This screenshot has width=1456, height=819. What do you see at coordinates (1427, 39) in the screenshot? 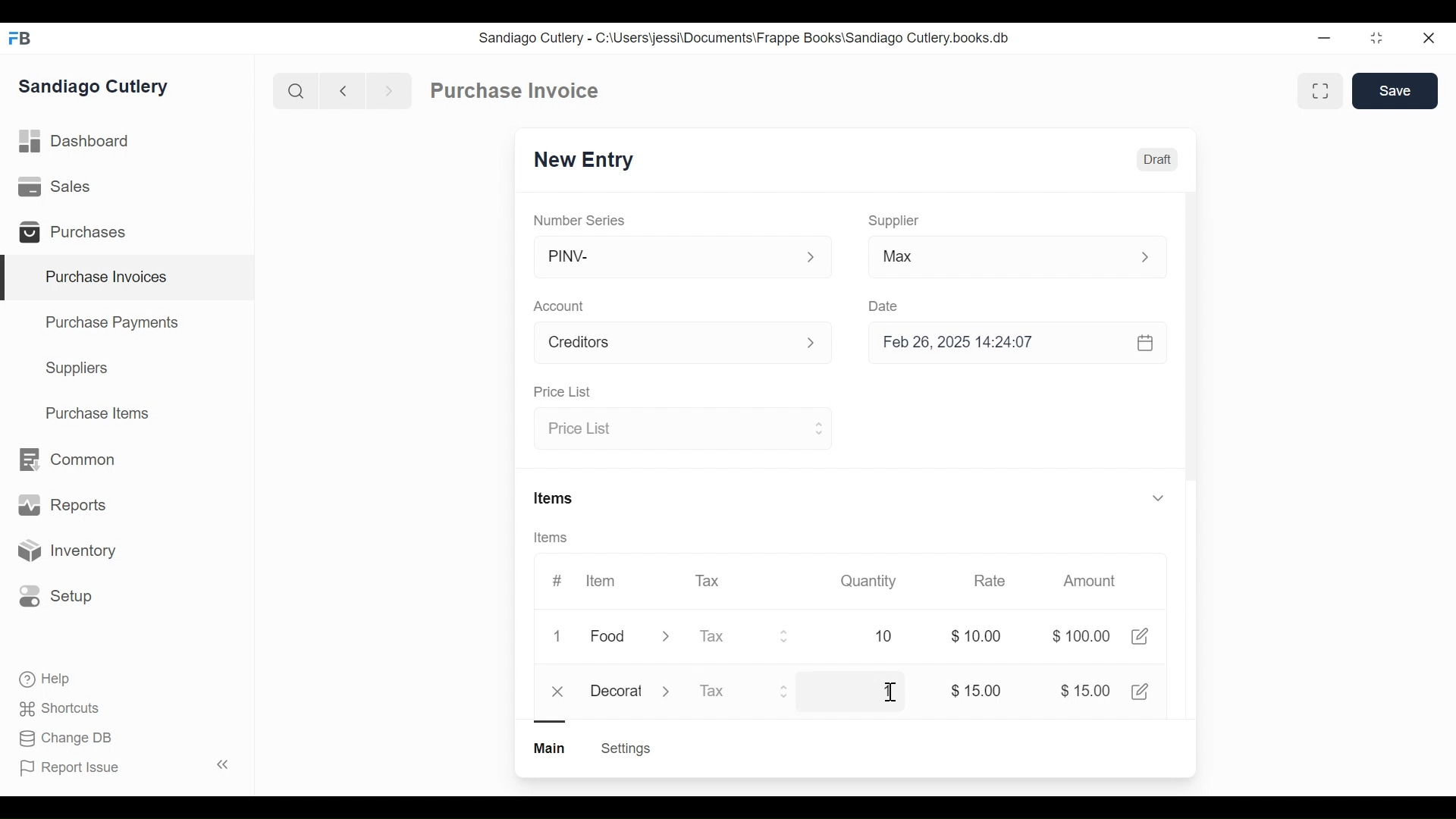
I see `close` at bounding box center [1427, 39].